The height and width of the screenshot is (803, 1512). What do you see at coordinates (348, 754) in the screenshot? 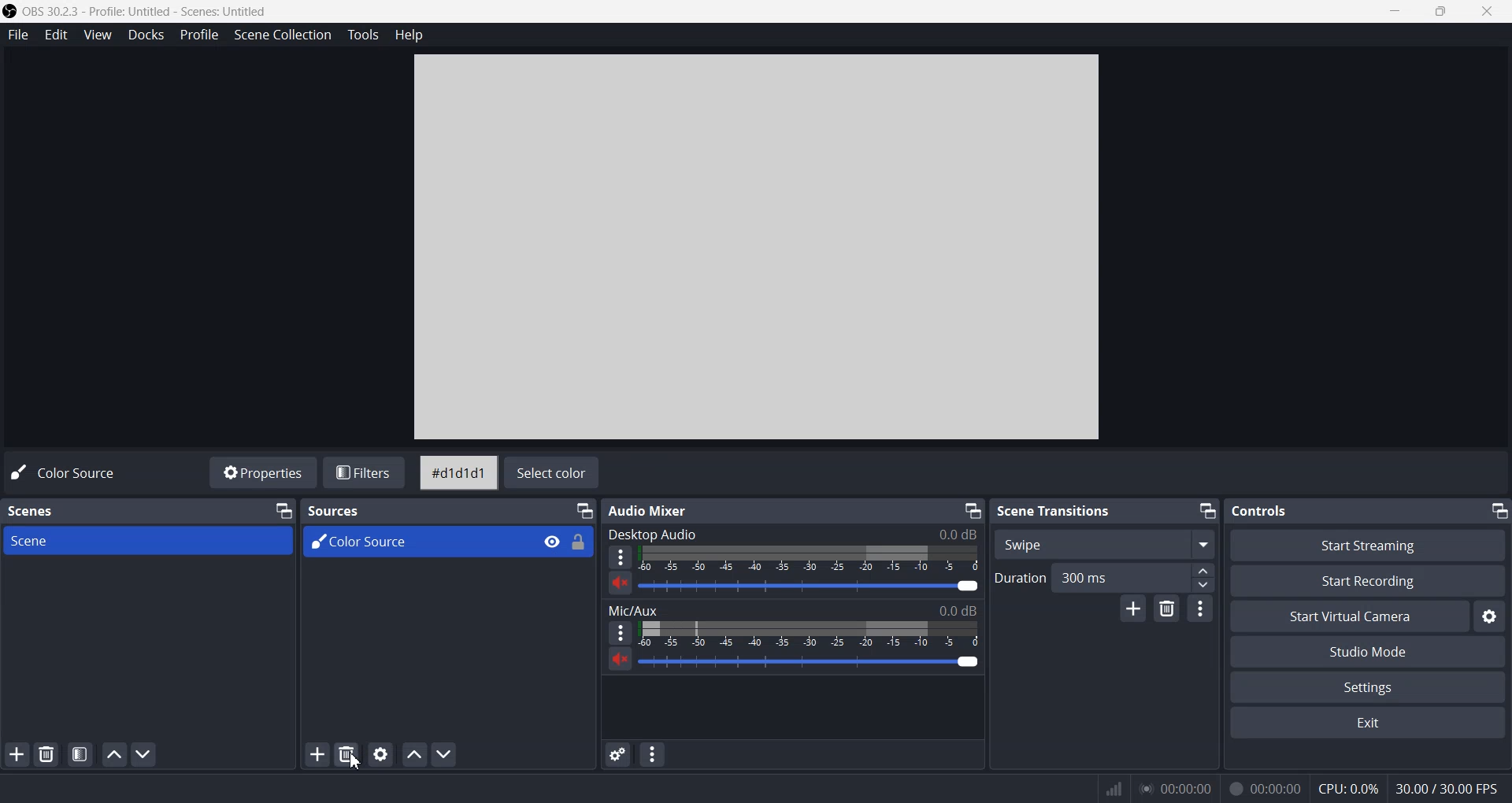
I see `Remove selected Source` at bounding box center [348, 754].